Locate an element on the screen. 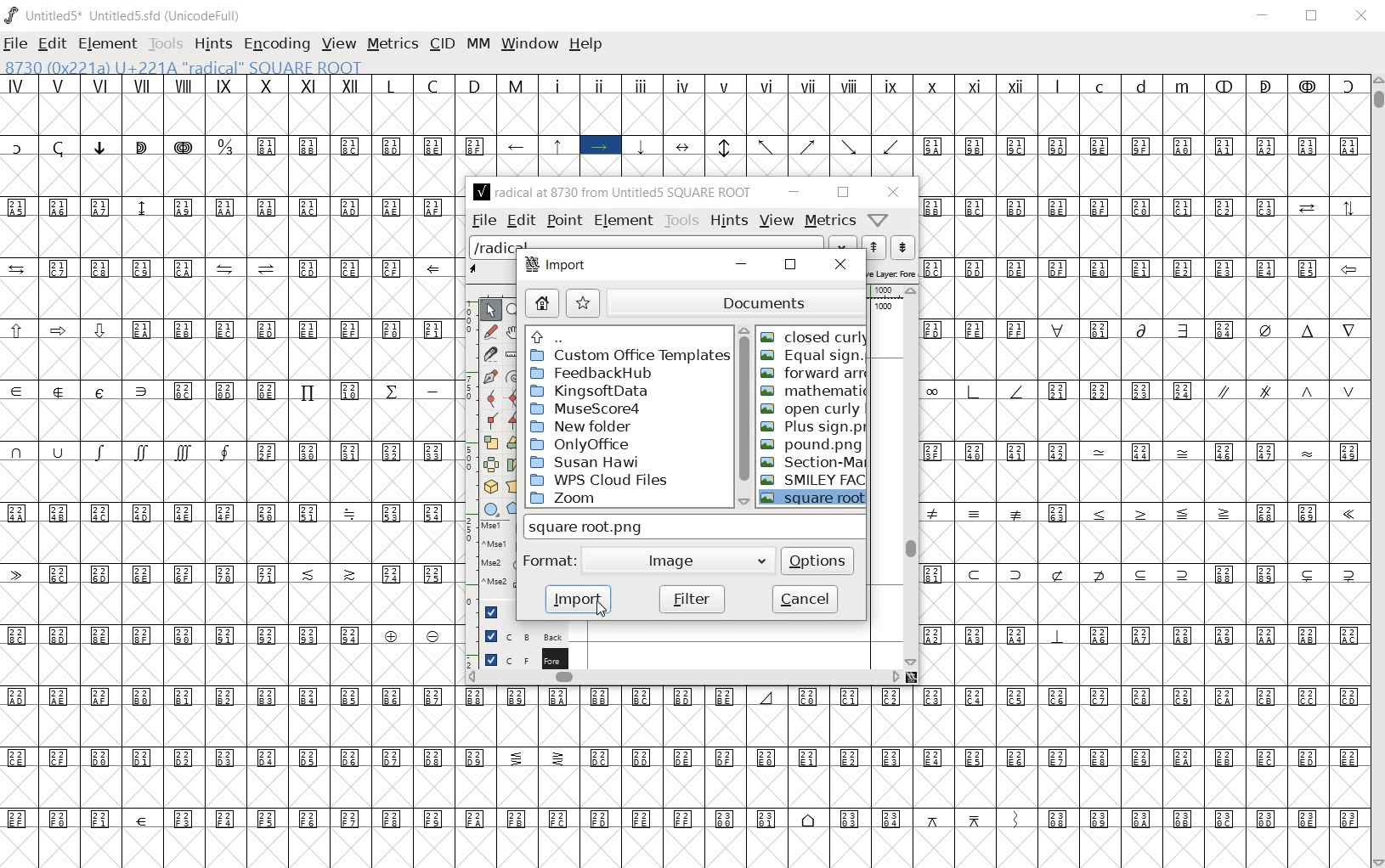 The image size is (1385, 868). Section-Mark is located at coordinates (816, 463).